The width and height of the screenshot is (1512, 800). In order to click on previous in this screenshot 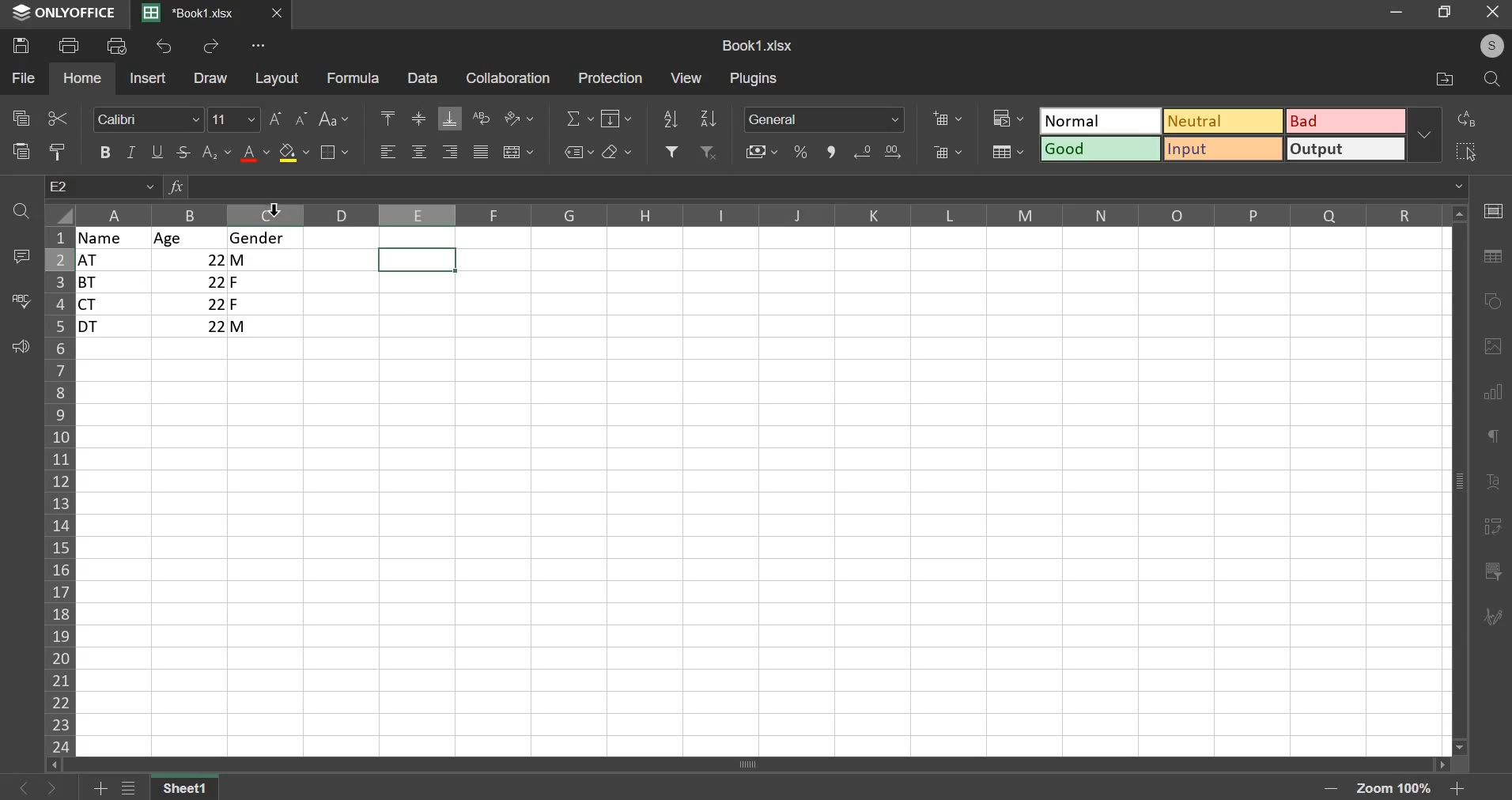, I will do `click(58, 787)`.